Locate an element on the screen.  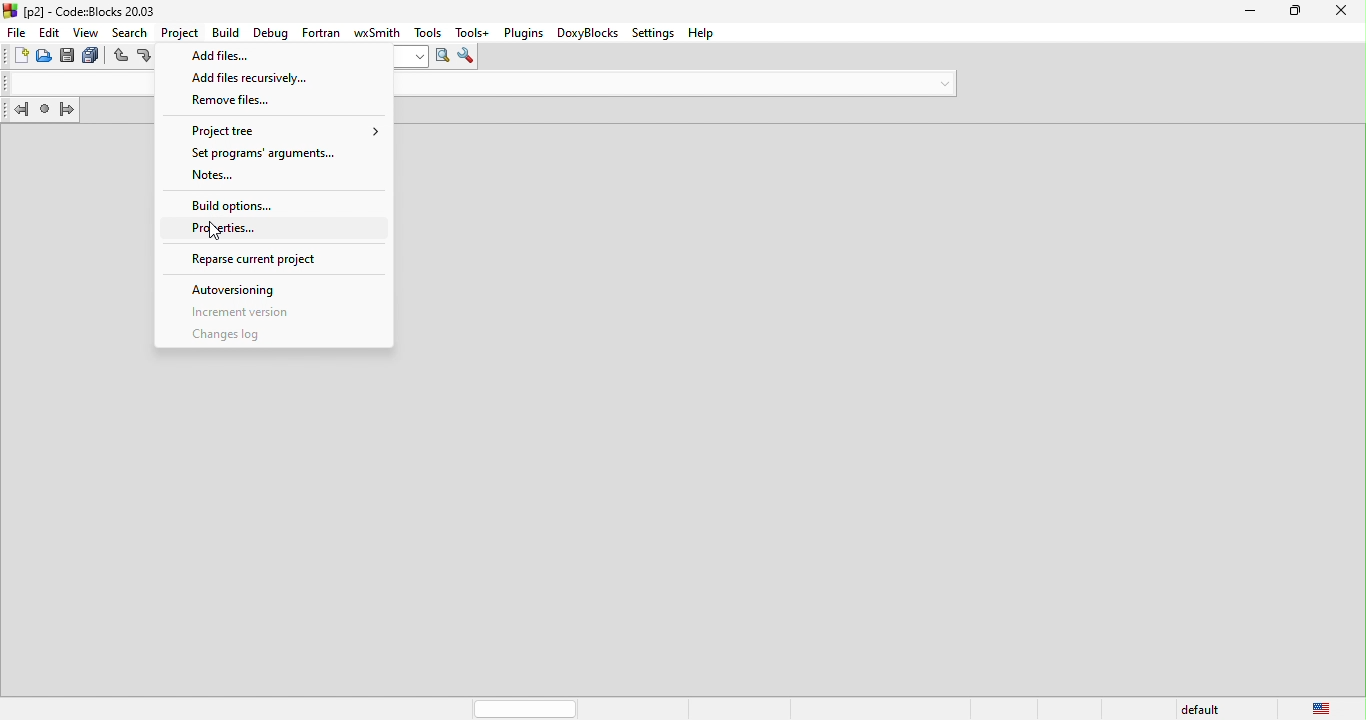
title is located at coordinates (84, 10).